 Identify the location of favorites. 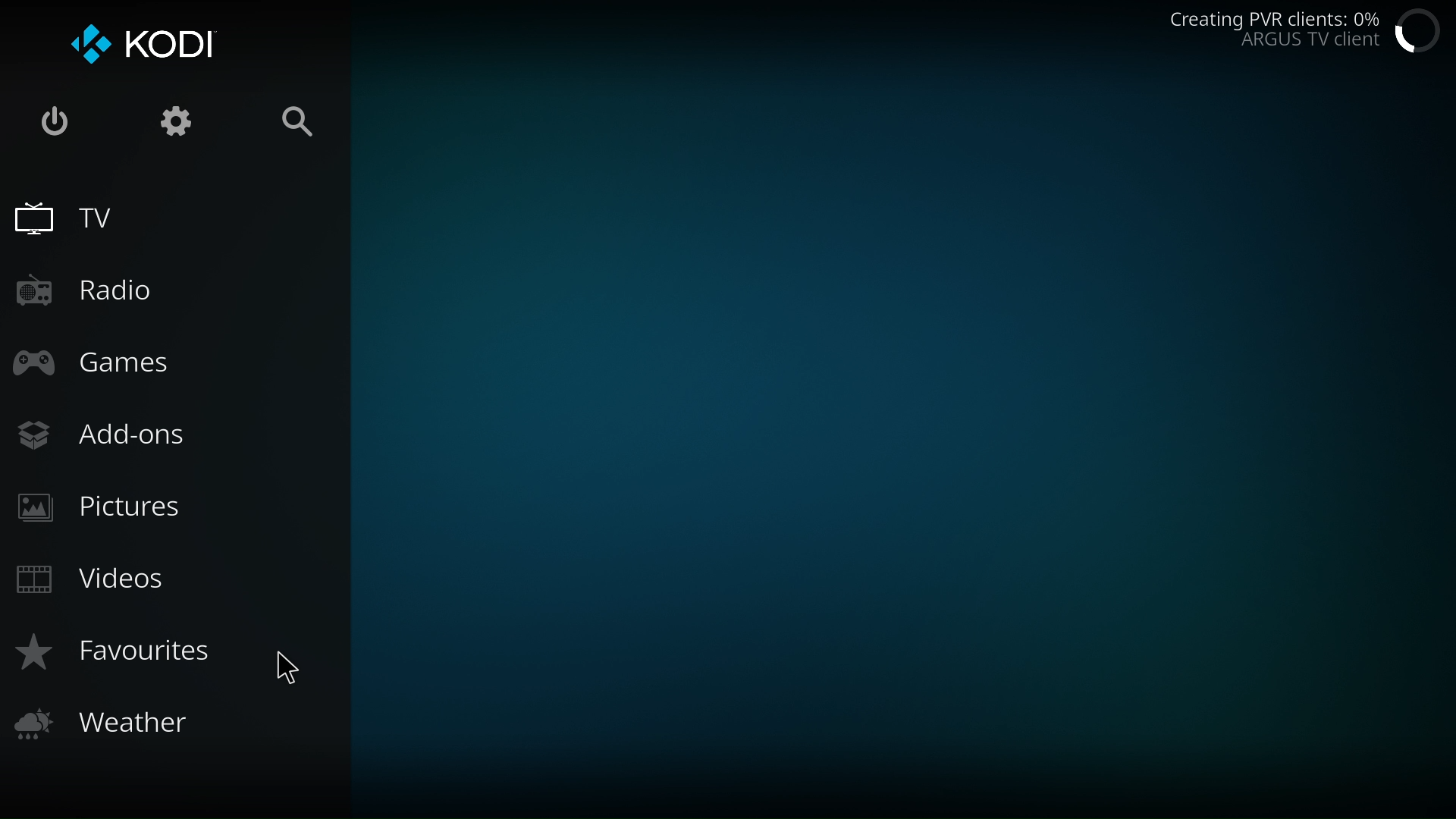
(123, 657).